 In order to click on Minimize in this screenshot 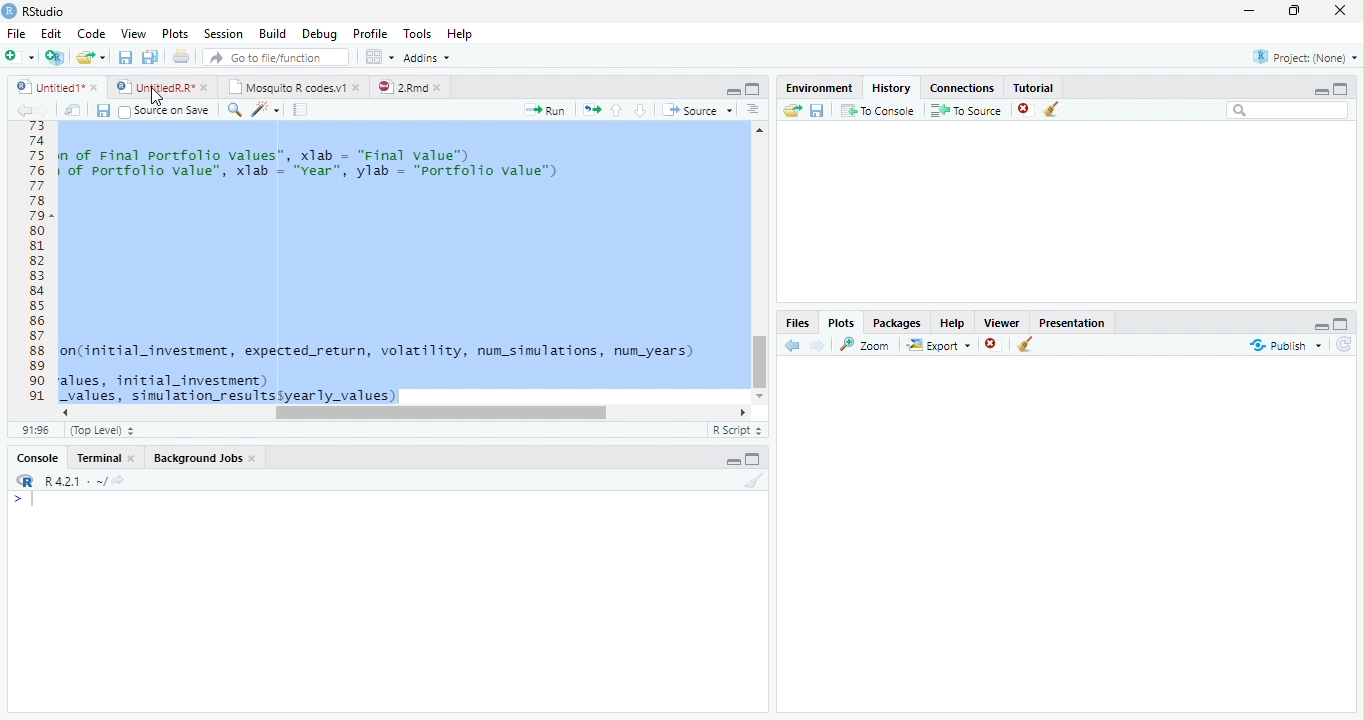, I will do `click(1253, 12)`.